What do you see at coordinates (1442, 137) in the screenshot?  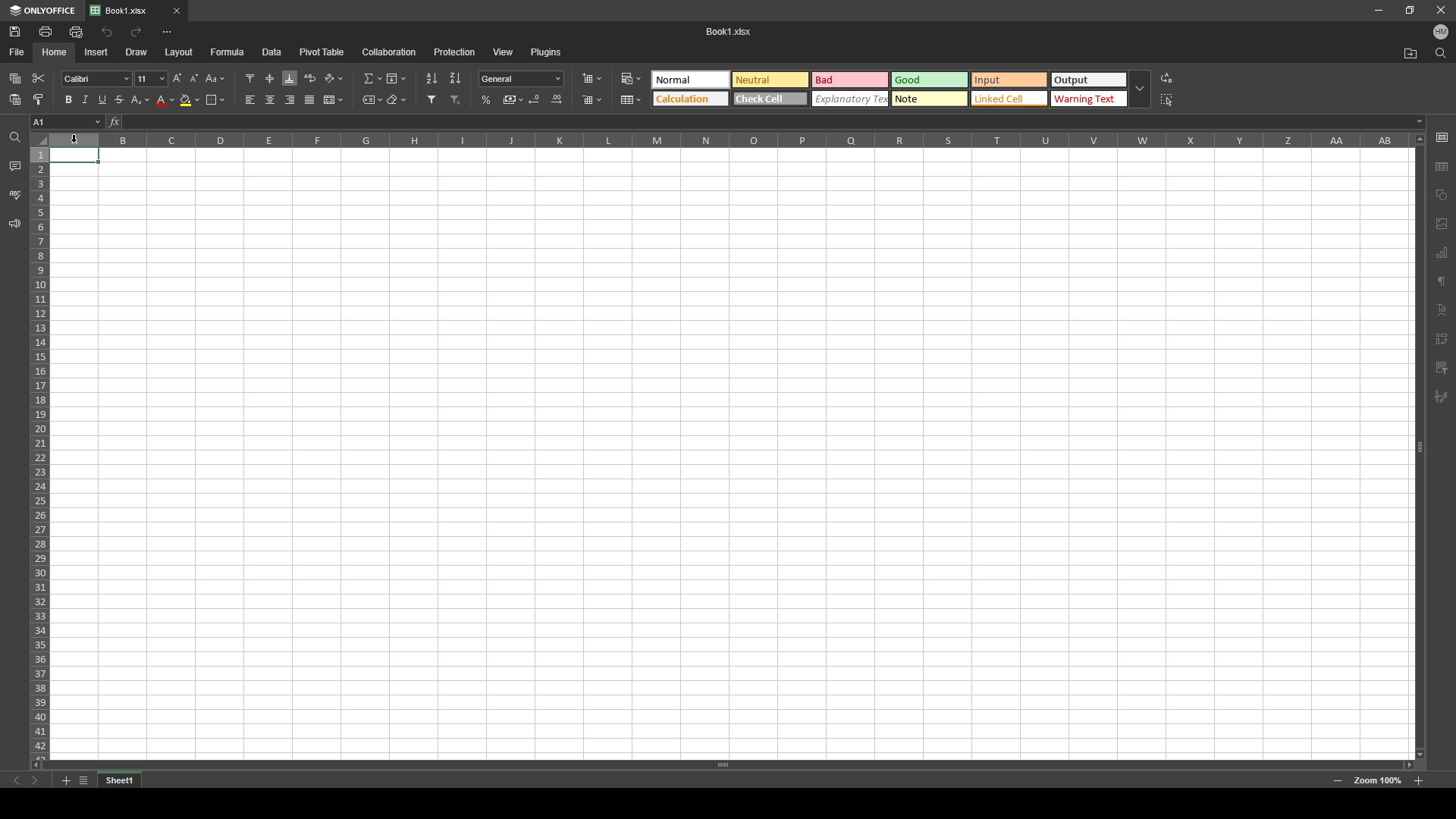 I see `cell settings` at bounding box center [1442, 137].